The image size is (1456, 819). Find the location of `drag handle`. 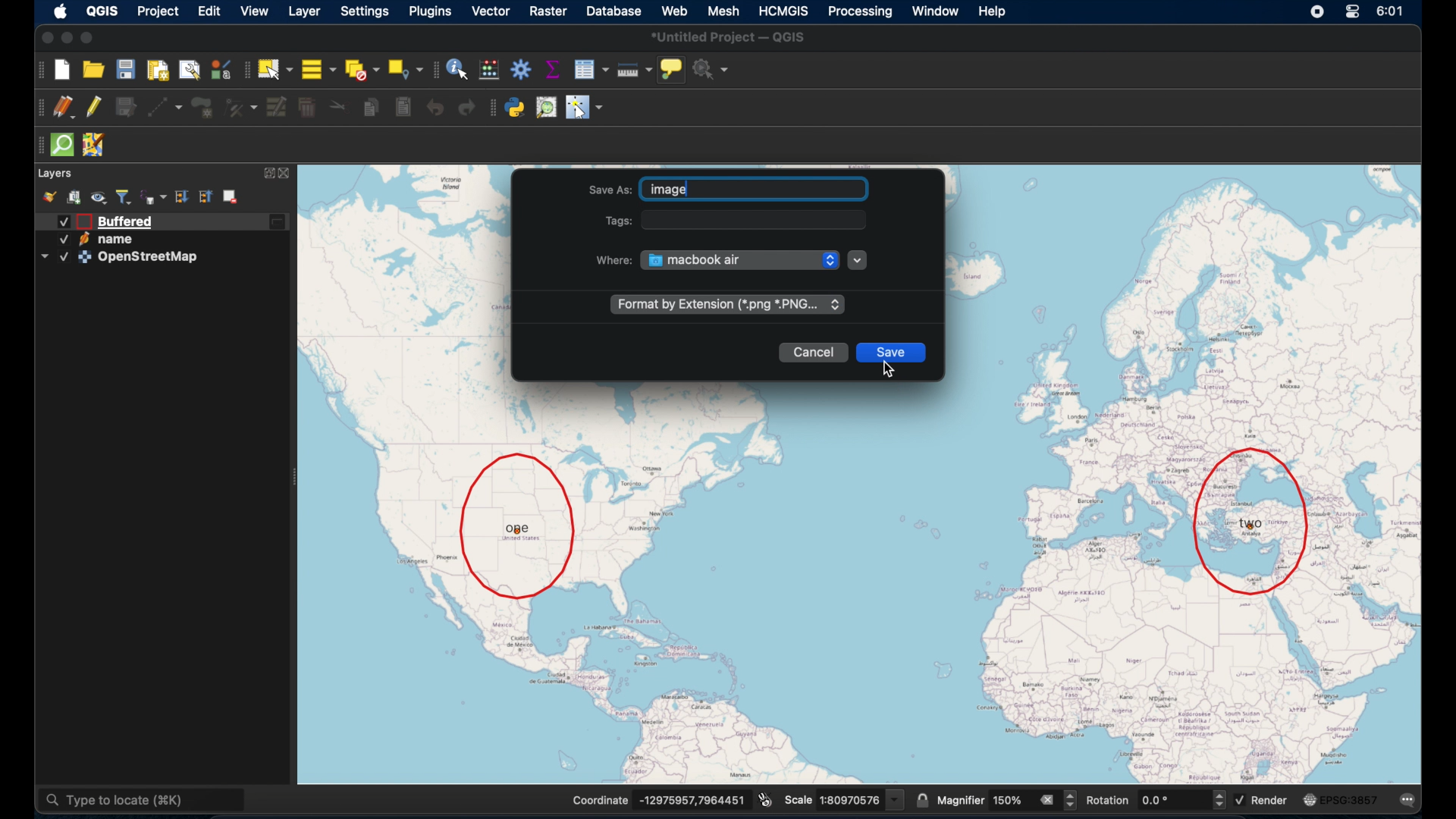

drag handle is located at coordinates (39, 108).